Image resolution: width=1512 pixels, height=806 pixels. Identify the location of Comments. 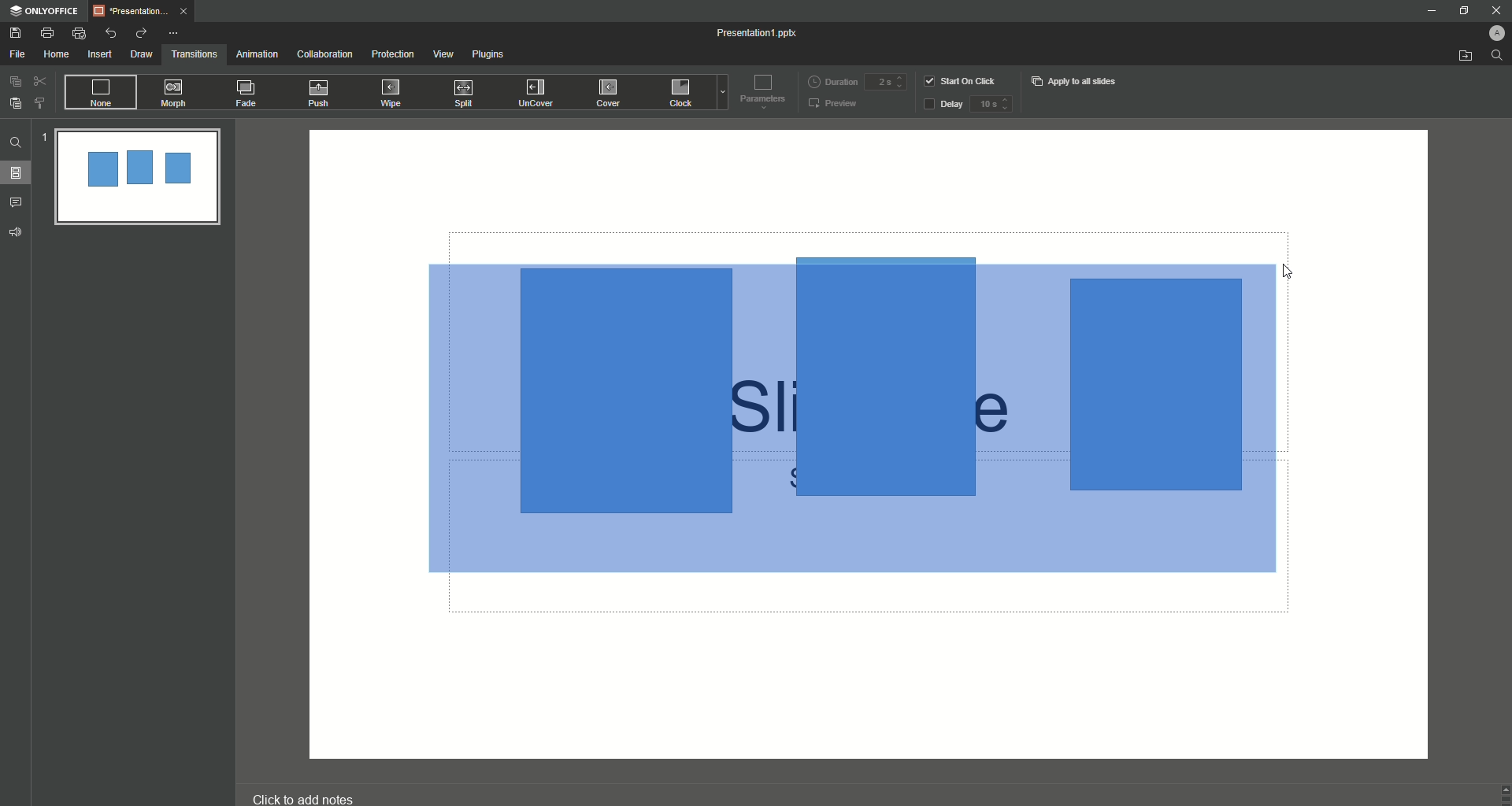
(19, 201).